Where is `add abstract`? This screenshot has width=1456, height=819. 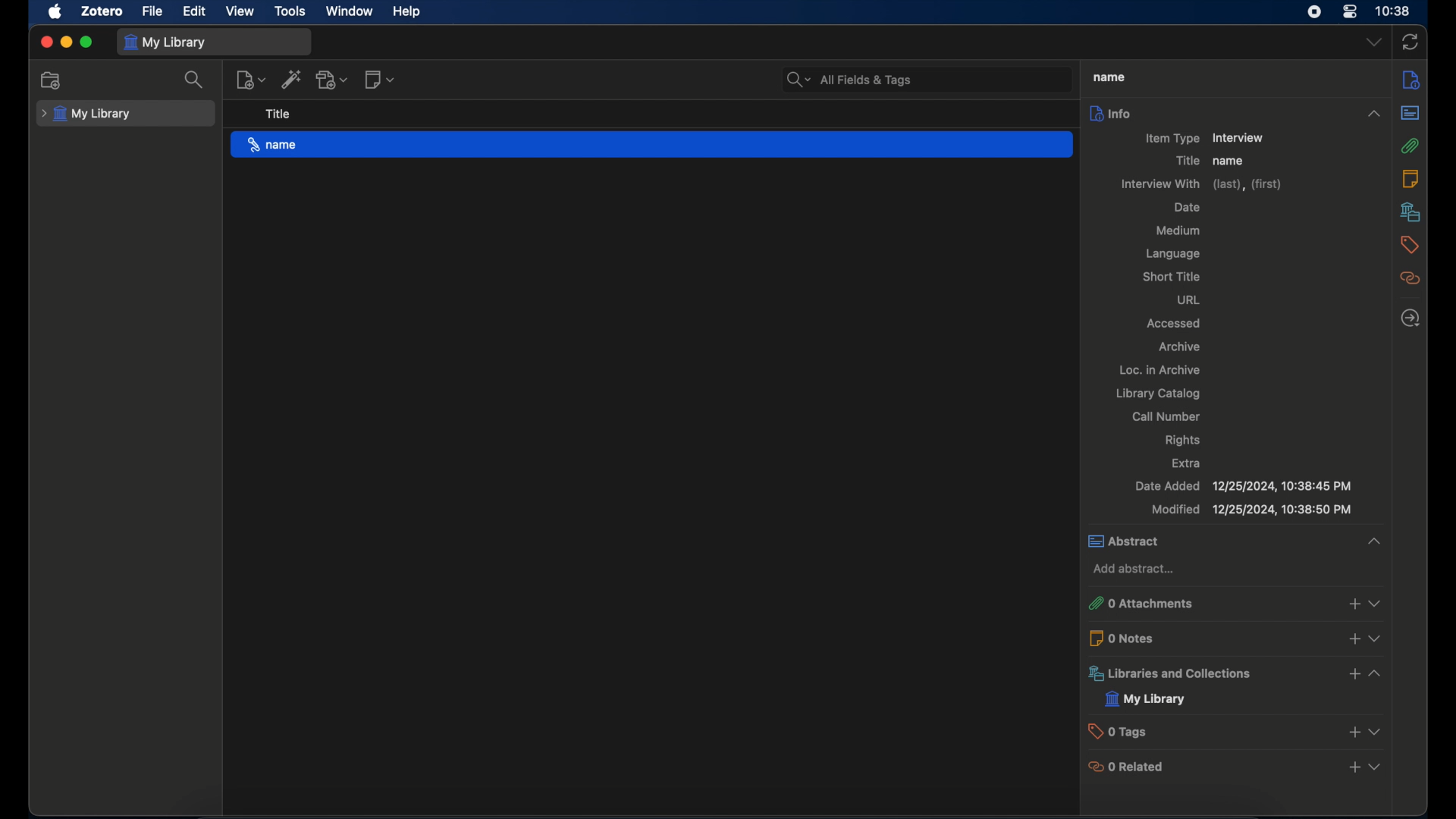 add abstract is located at coordinates (1136, 569).